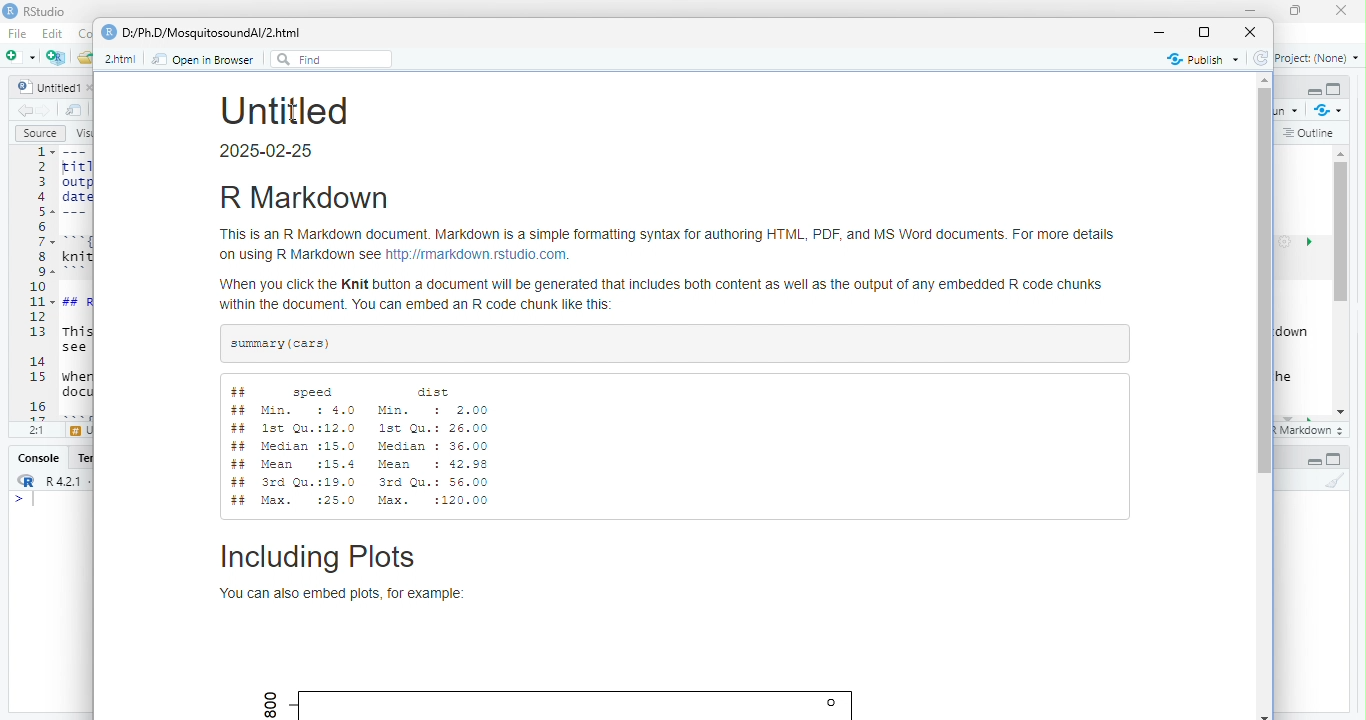  Describe the element at coordinates (271, 704) in the screenshot. I see `800` at that location.